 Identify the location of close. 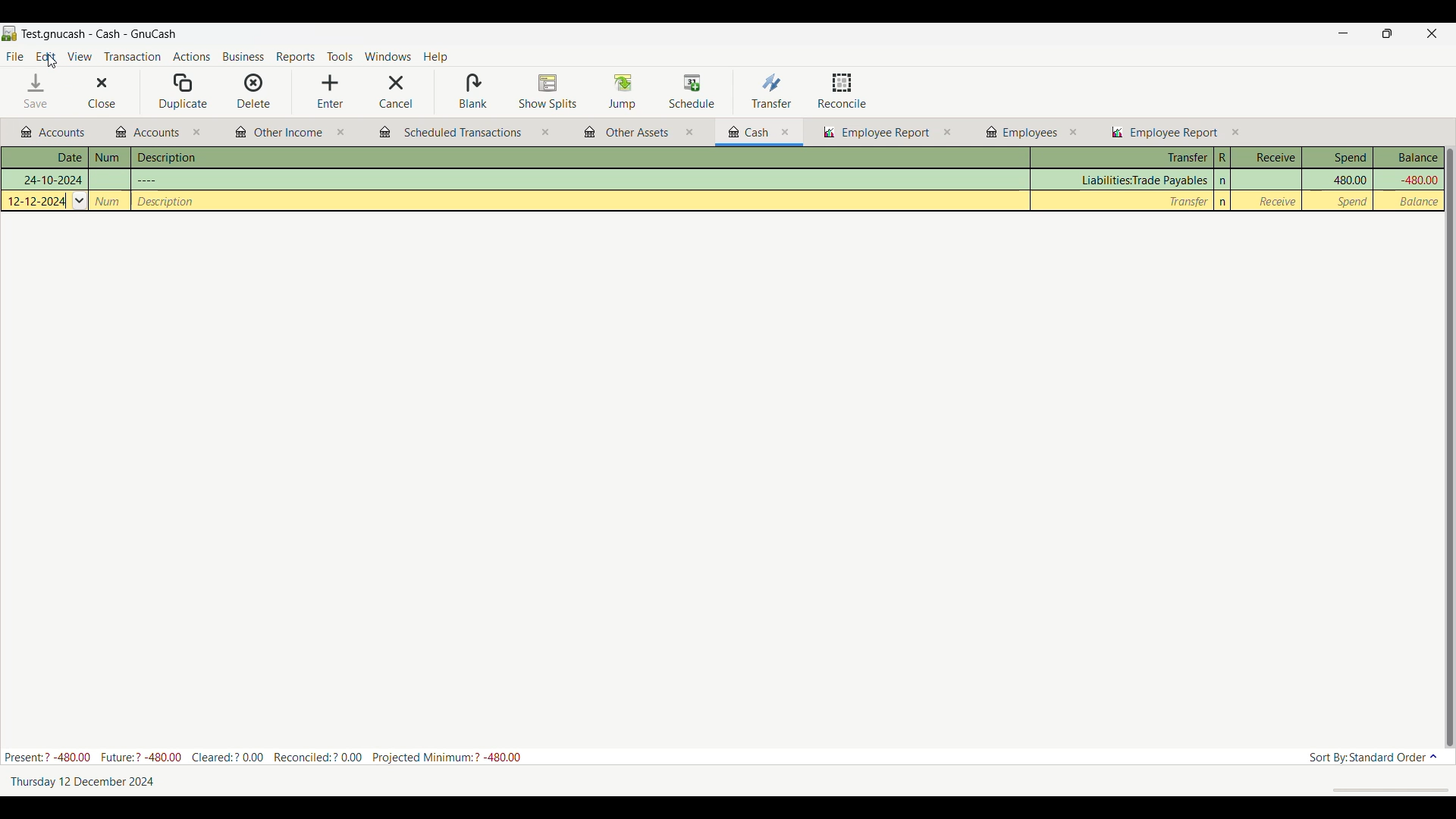
(199, 133).